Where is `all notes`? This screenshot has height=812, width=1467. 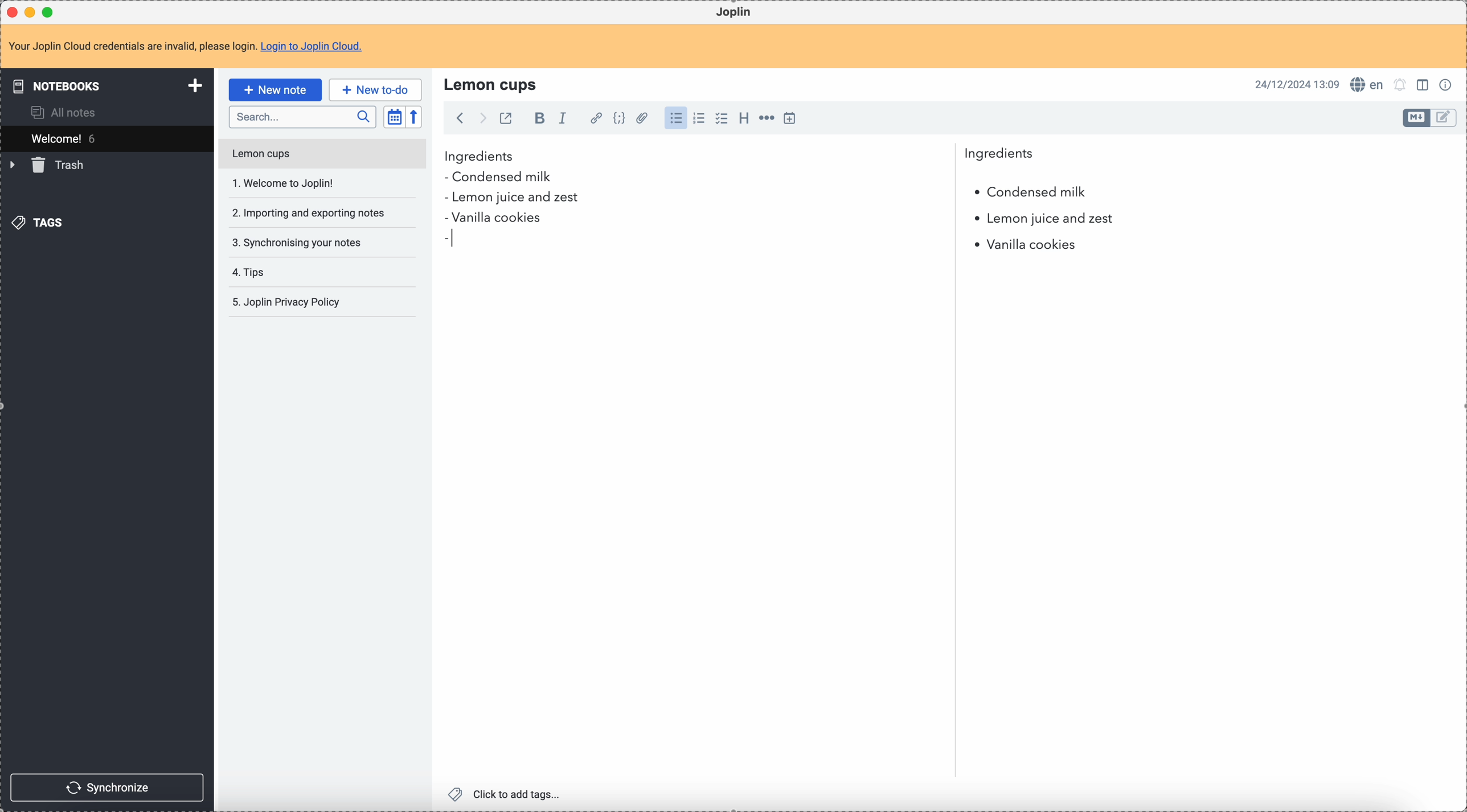
all notes is located at coordinates (67, 112).